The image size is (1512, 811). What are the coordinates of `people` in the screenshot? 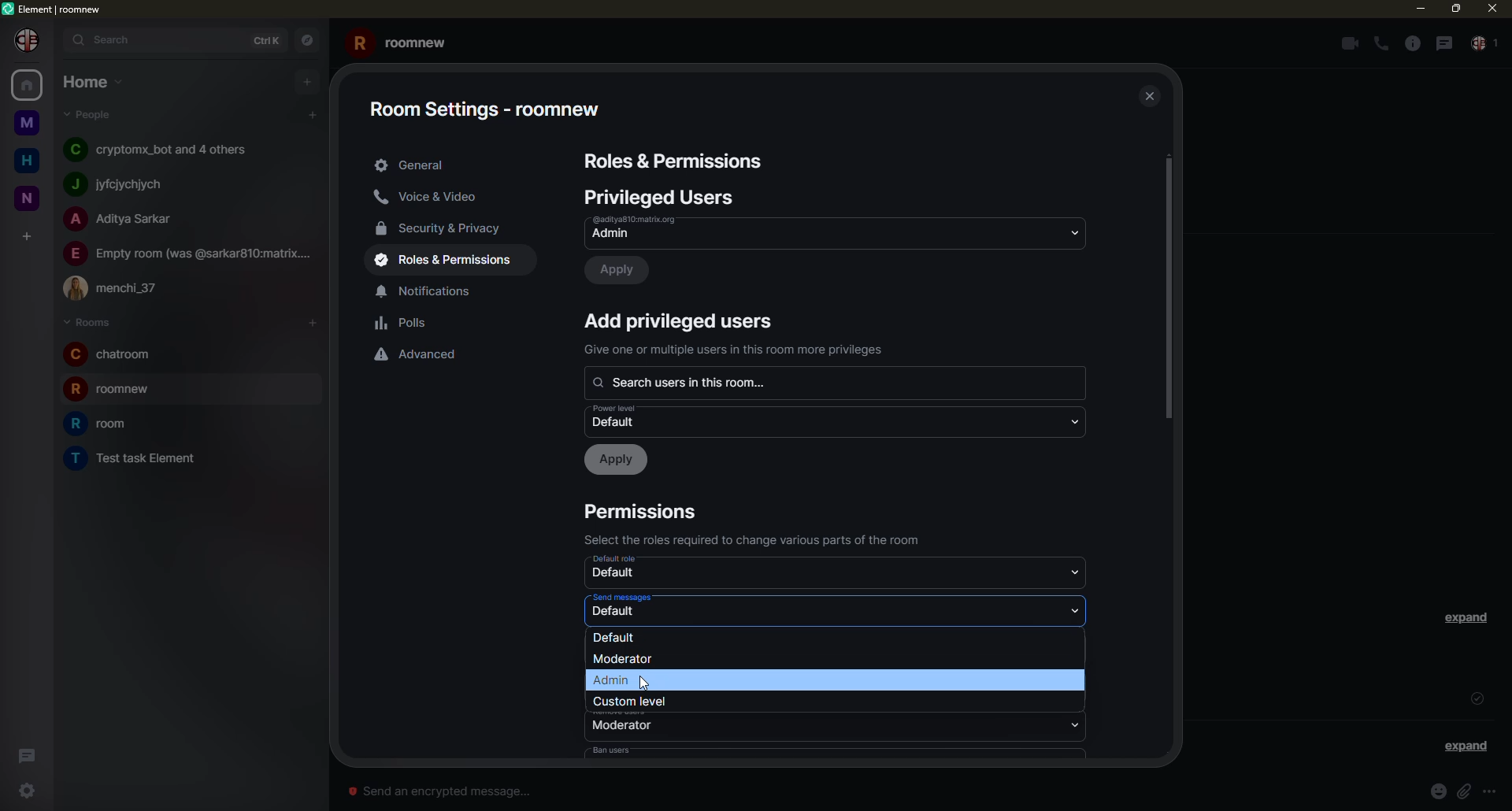 It's located at (163, 150).